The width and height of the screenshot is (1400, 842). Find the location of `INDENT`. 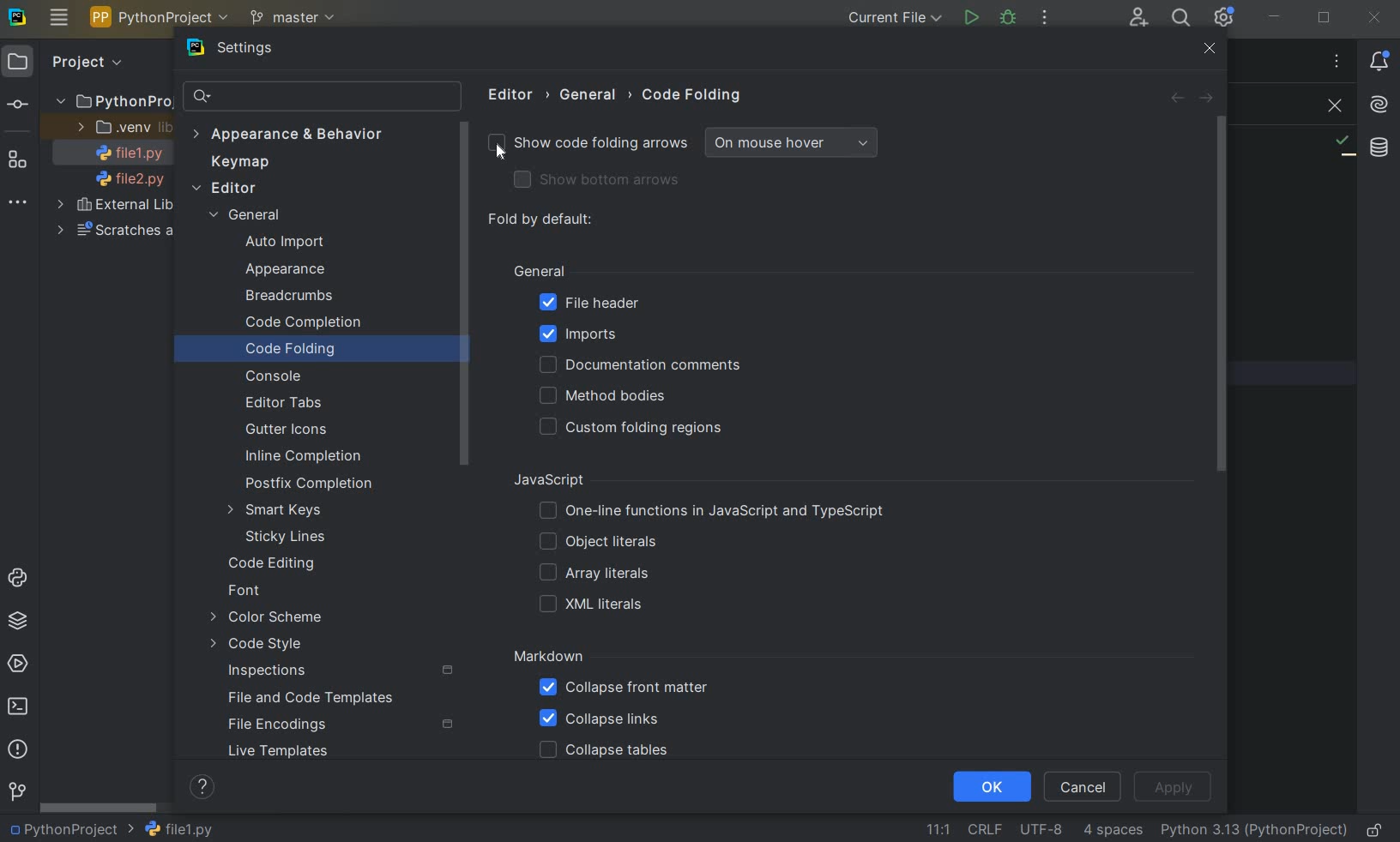

INDENT is located at coordinates (1112, 831).